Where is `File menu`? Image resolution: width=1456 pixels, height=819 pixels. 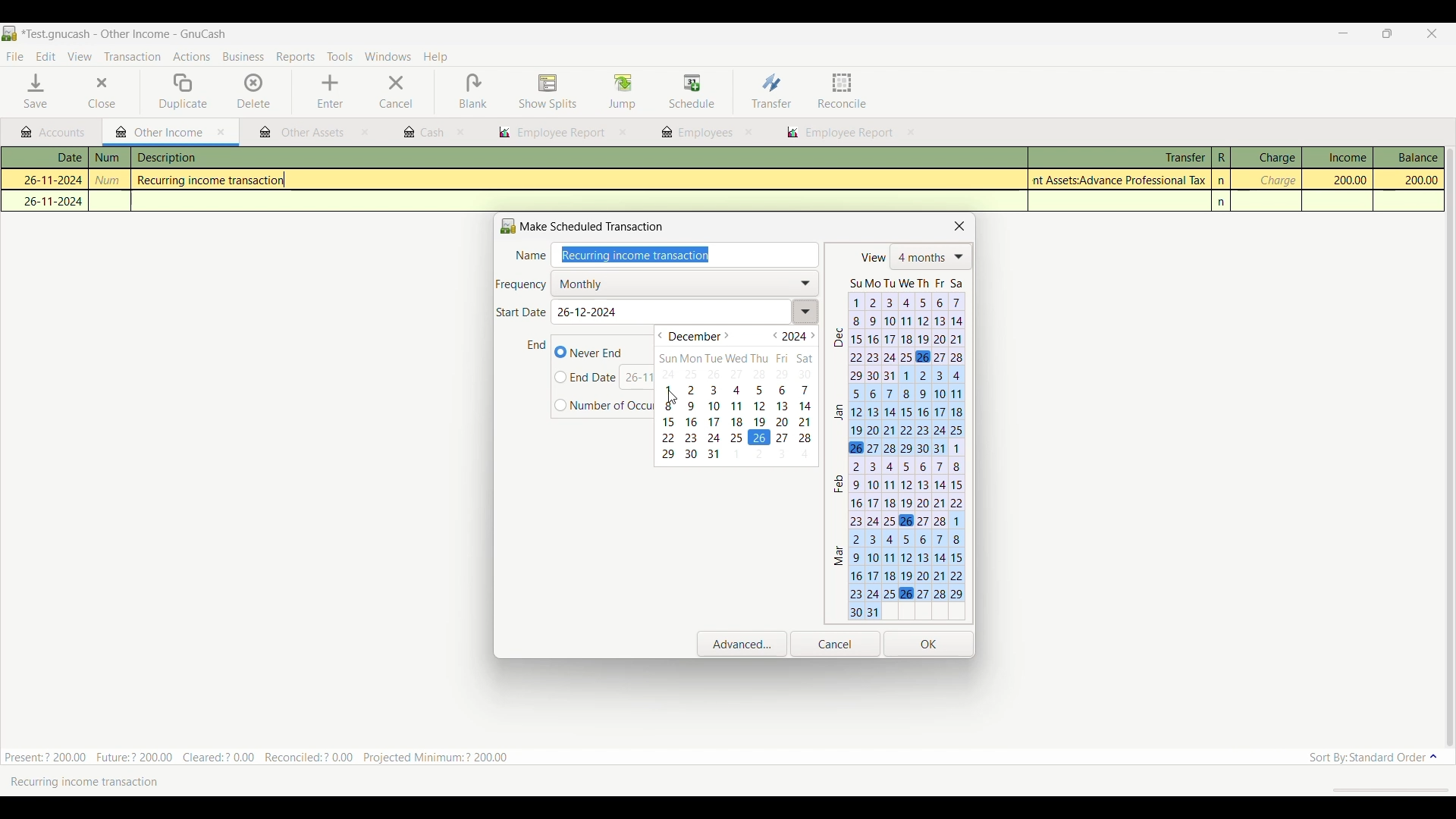
File menu is located at coordinates (14, 57).